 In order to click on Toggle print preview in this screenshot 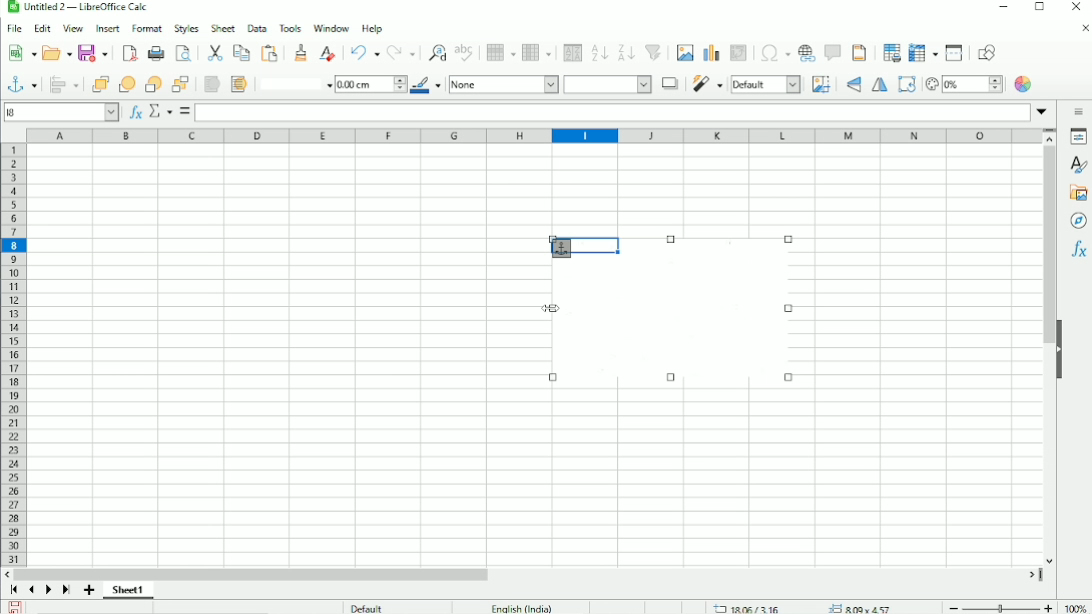, I will do `click(184, 53)`.